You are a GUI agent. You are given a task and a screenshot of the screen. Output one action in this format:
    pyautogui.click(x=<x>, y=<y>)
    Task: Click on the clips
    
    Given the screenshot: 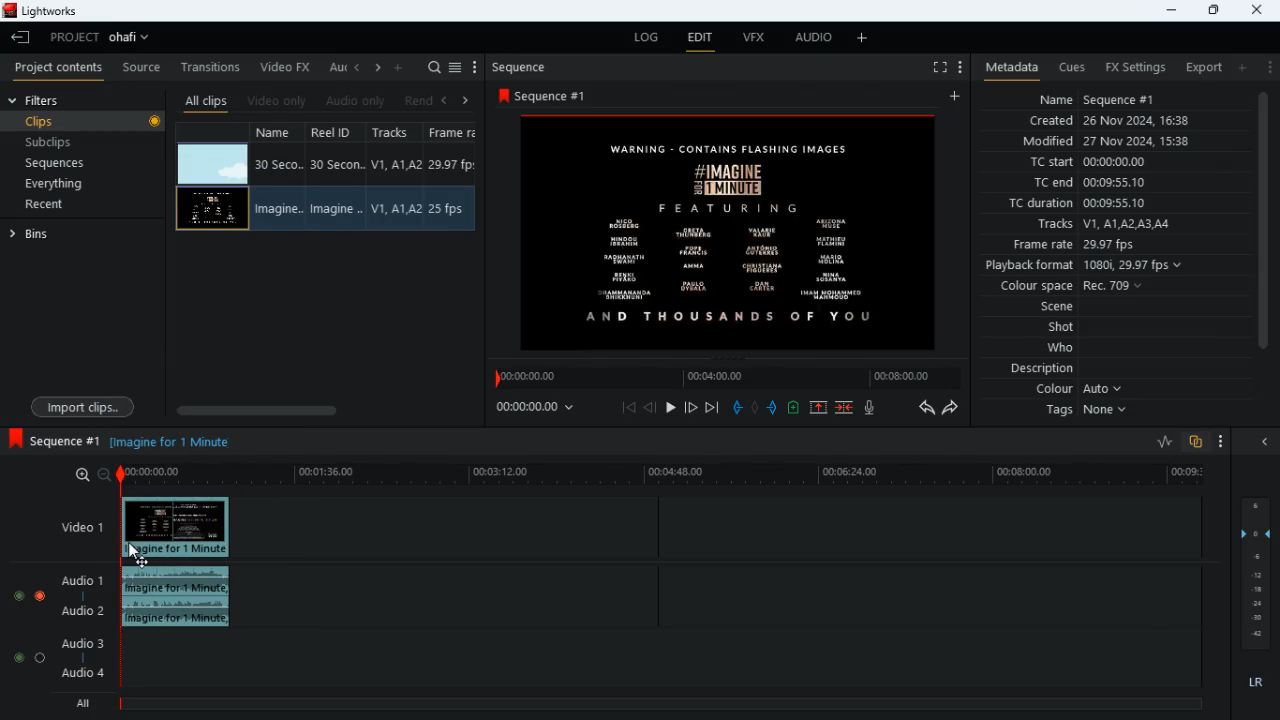 What is the action you would take?
    pyautogui.click(x=98, y=122)
    